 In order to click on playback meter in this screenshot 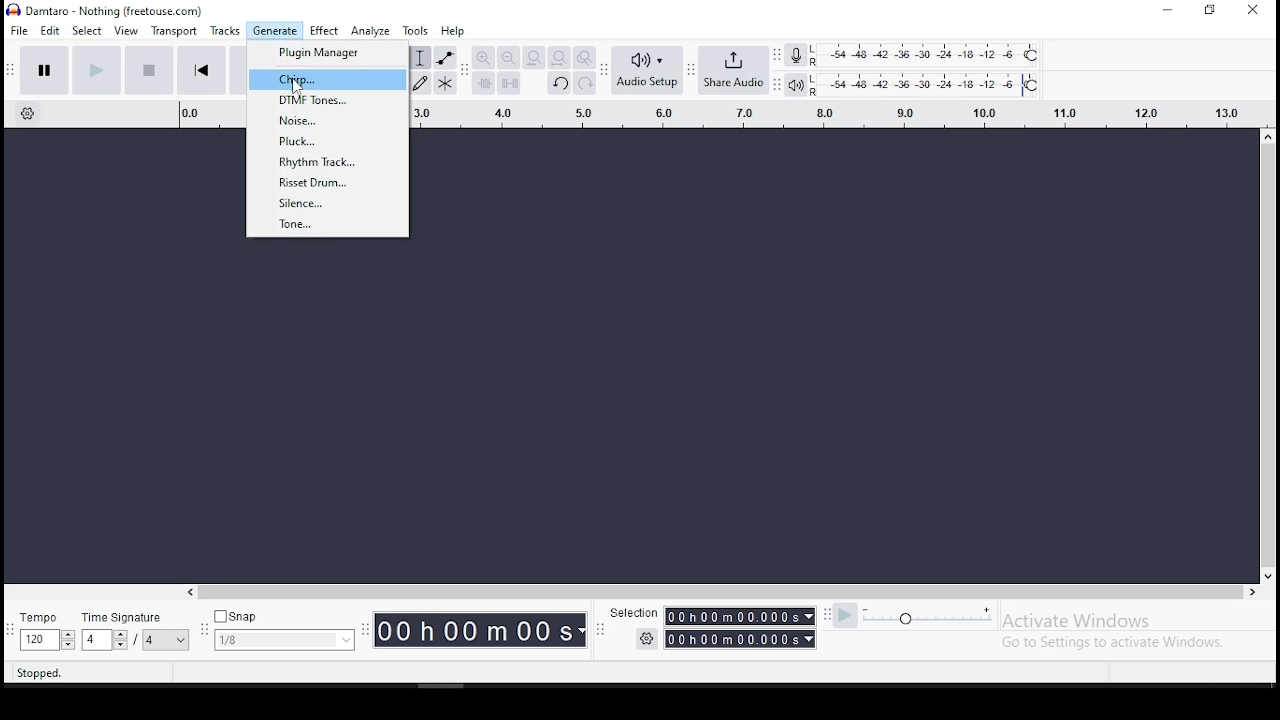, I will do `click(797, 85)`.